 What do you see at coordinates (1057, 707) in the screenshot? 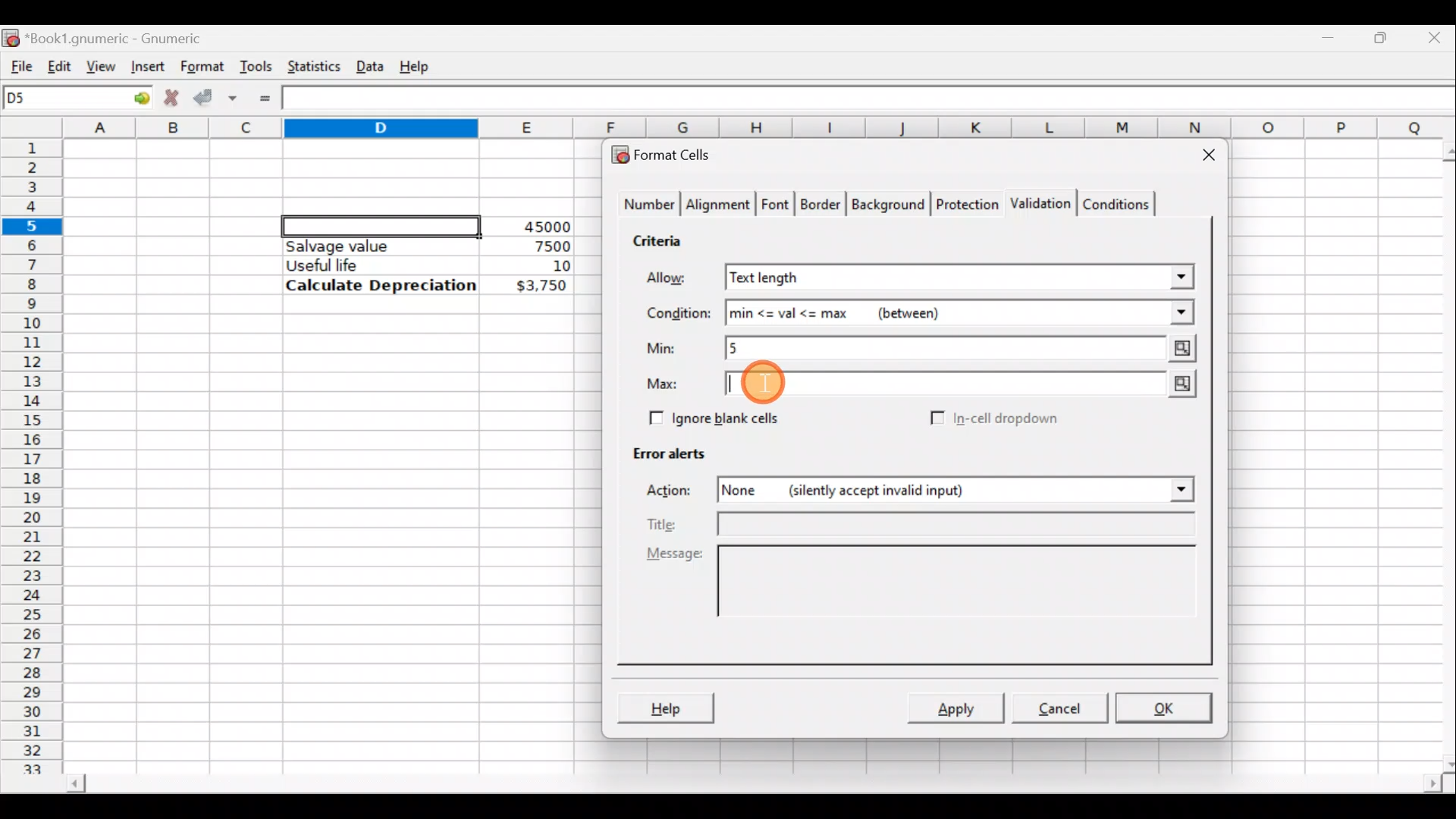
I see `Cancel` at bounding box center [1057, 707].